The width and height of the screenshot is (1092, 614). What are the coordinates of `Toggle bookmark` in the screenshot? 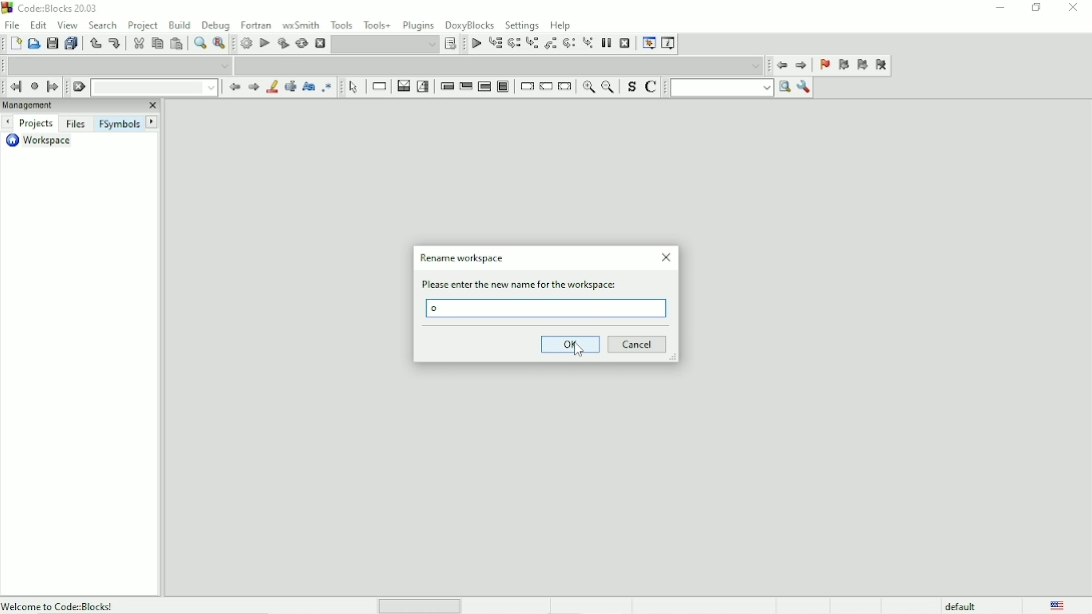 It's located at (823, 66).